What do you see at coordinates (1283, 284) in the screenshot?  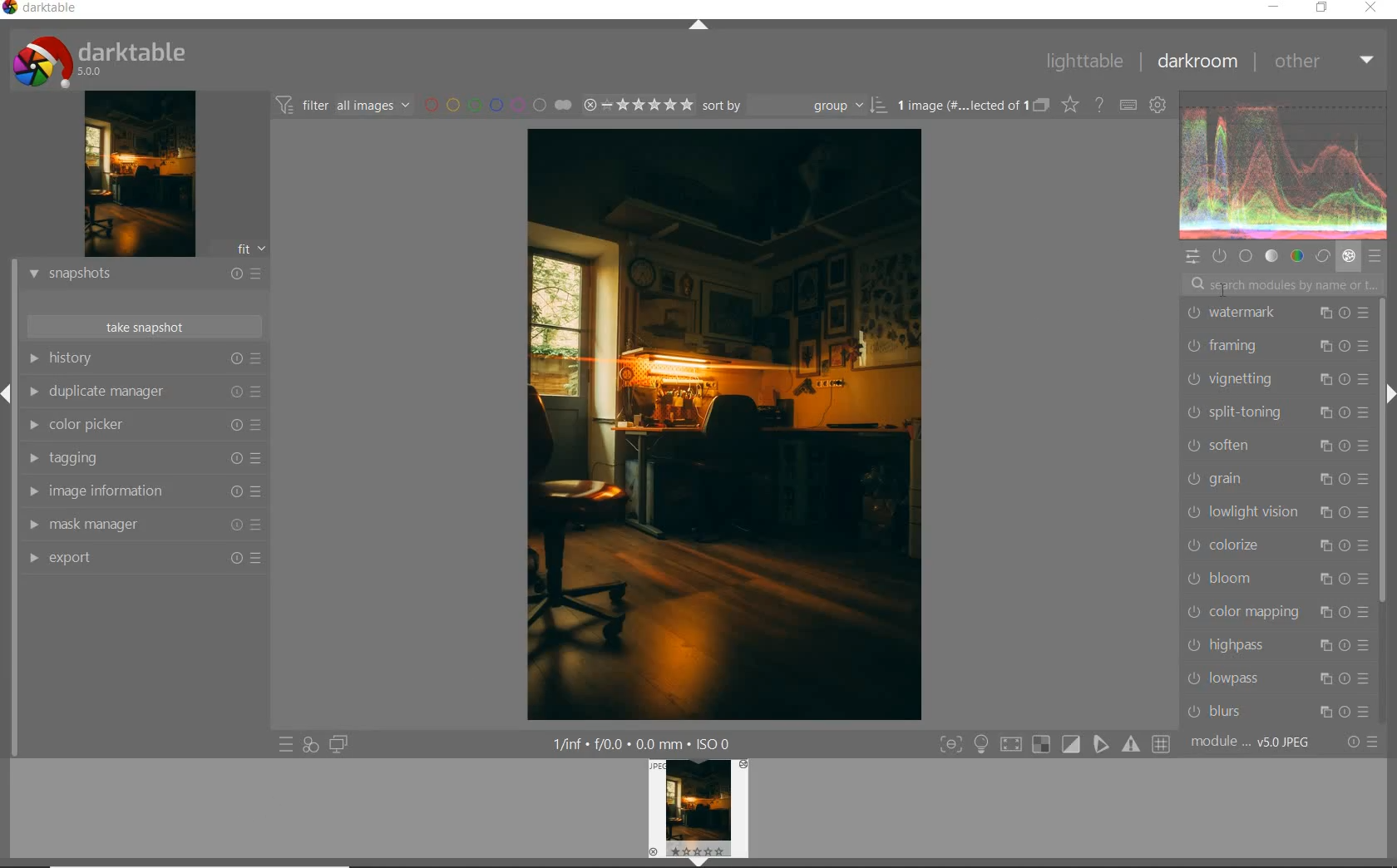 I see `search modules by name` at bounding box center [1283, 284].